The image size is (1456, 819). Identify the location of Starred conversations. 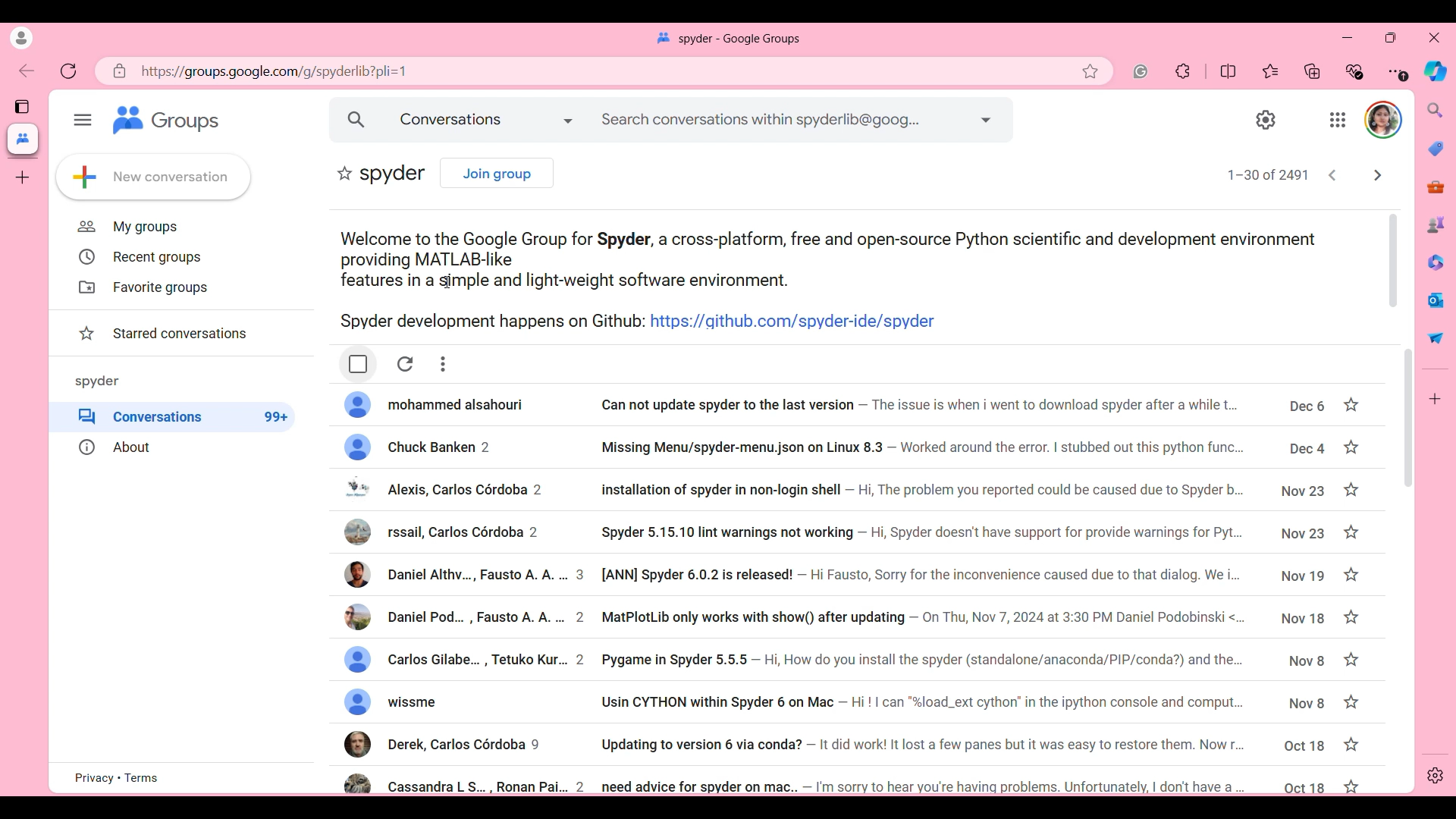
(161, 334).